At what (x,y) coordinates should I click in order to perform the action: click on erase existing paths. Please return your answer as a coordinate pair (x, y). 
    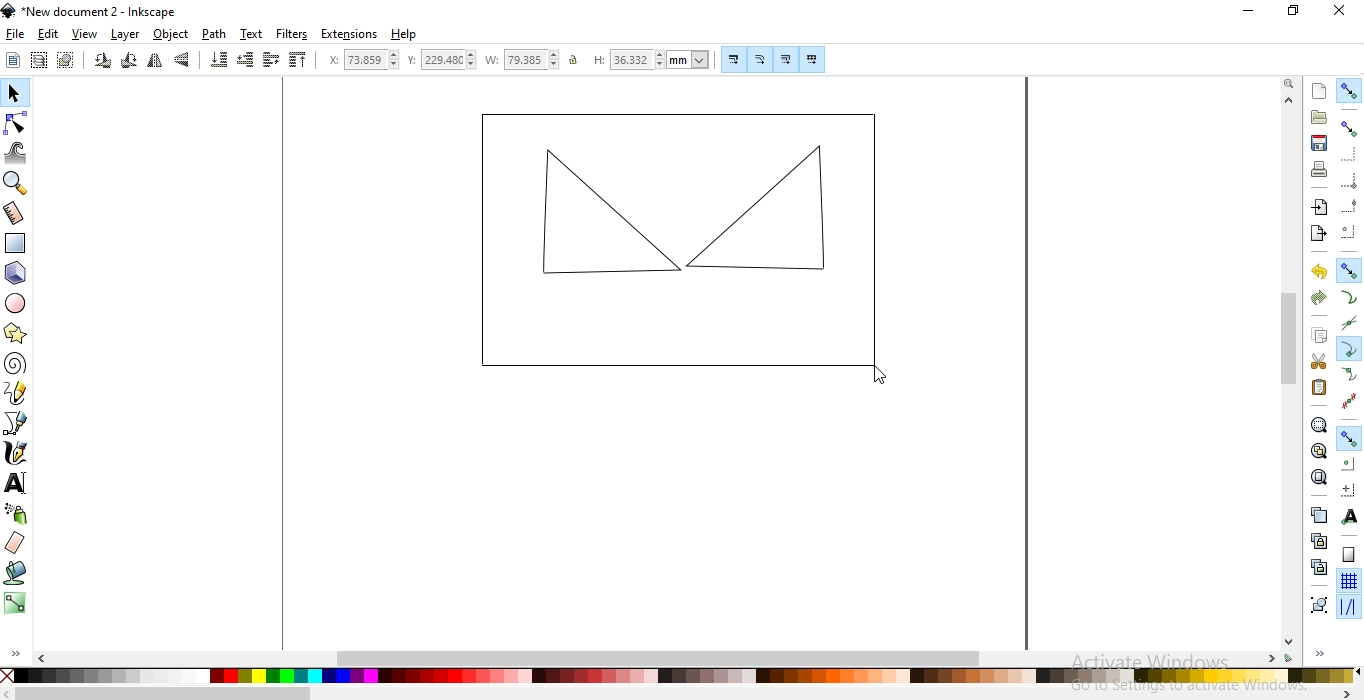
    Looking at the image, I should click on (17, 543).